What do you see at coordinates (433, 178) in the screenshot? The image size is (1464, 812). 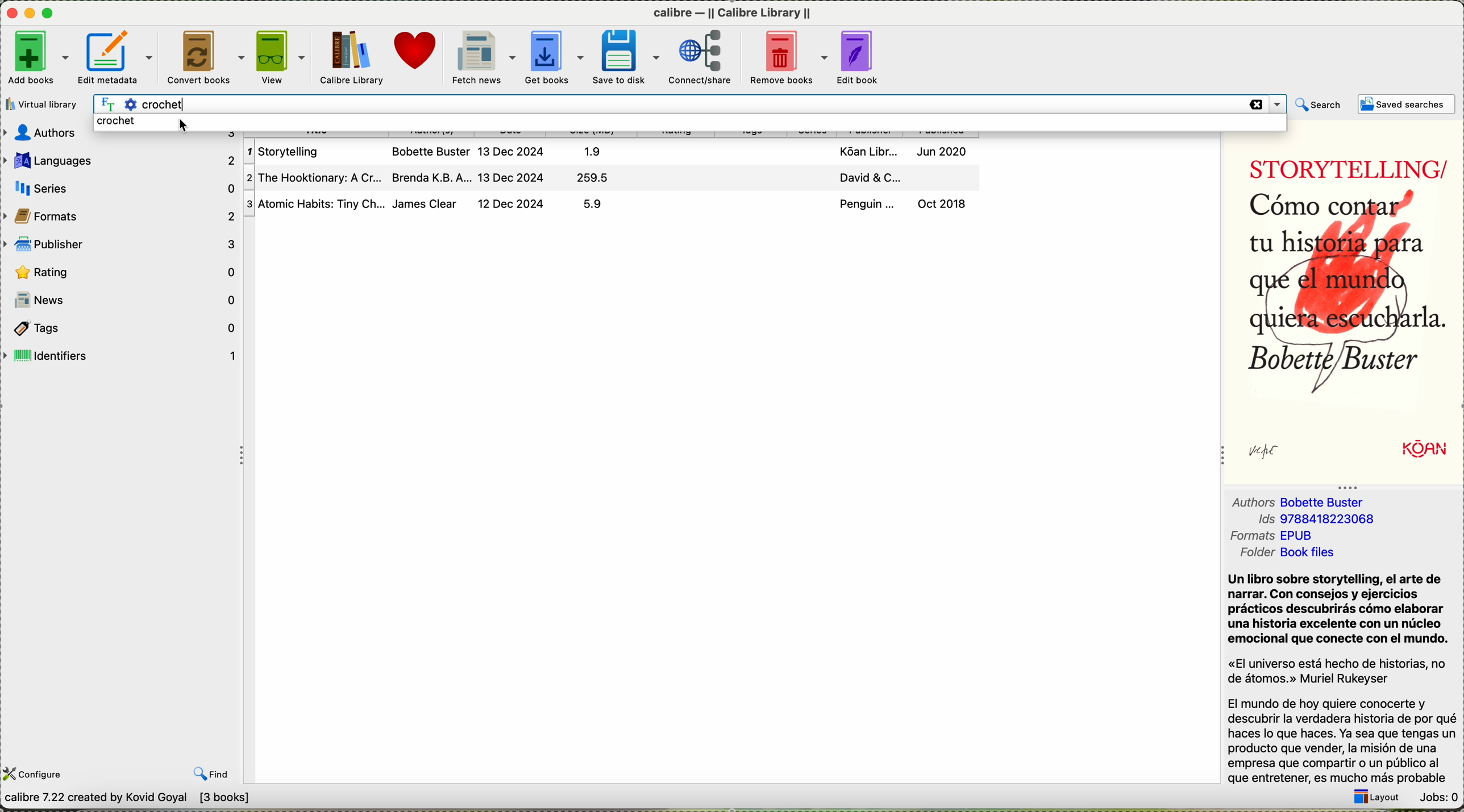 I see `Brenda K.B.A` at bounding box center [433, 178].